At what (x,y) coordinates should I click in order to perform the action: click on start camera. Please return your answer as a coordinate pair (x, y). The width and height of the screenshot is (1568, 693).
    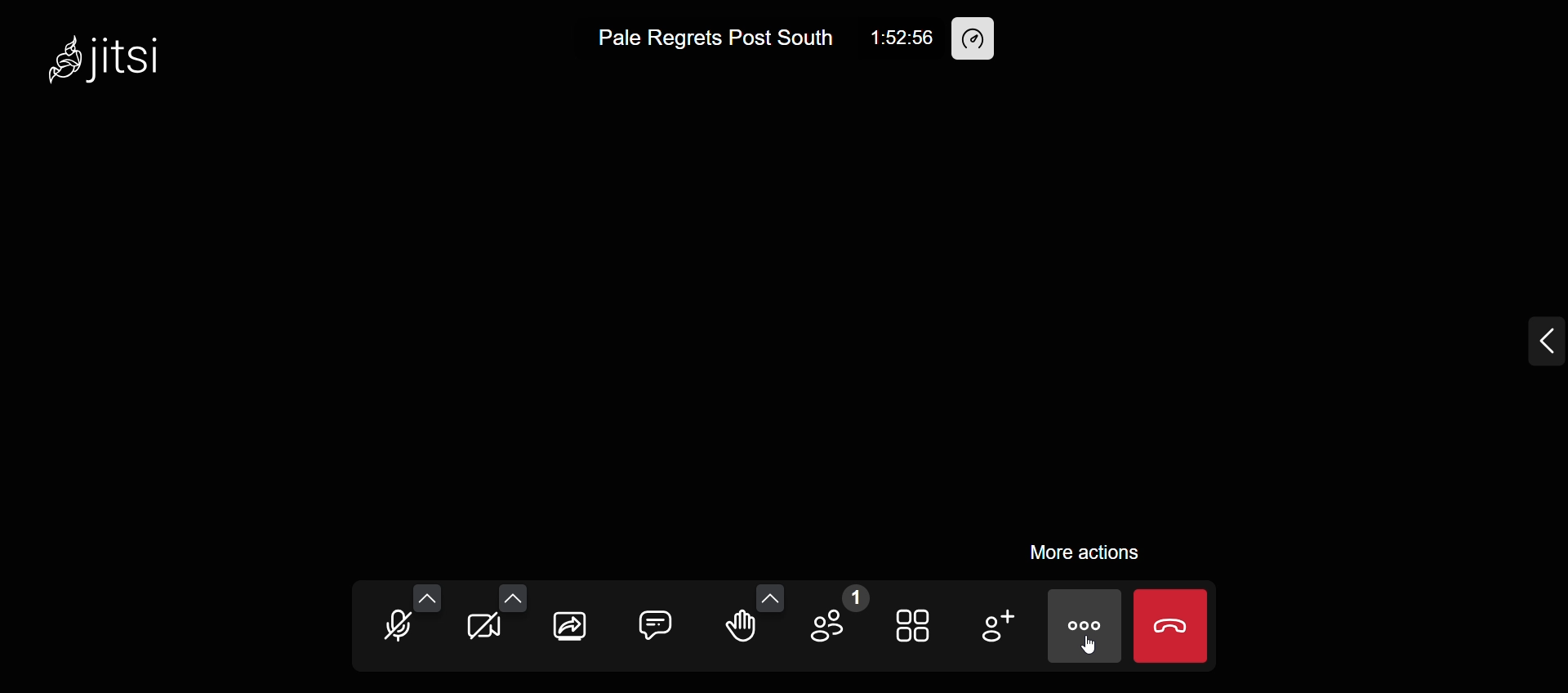
    Looking at the image, I should click on (483, 628).